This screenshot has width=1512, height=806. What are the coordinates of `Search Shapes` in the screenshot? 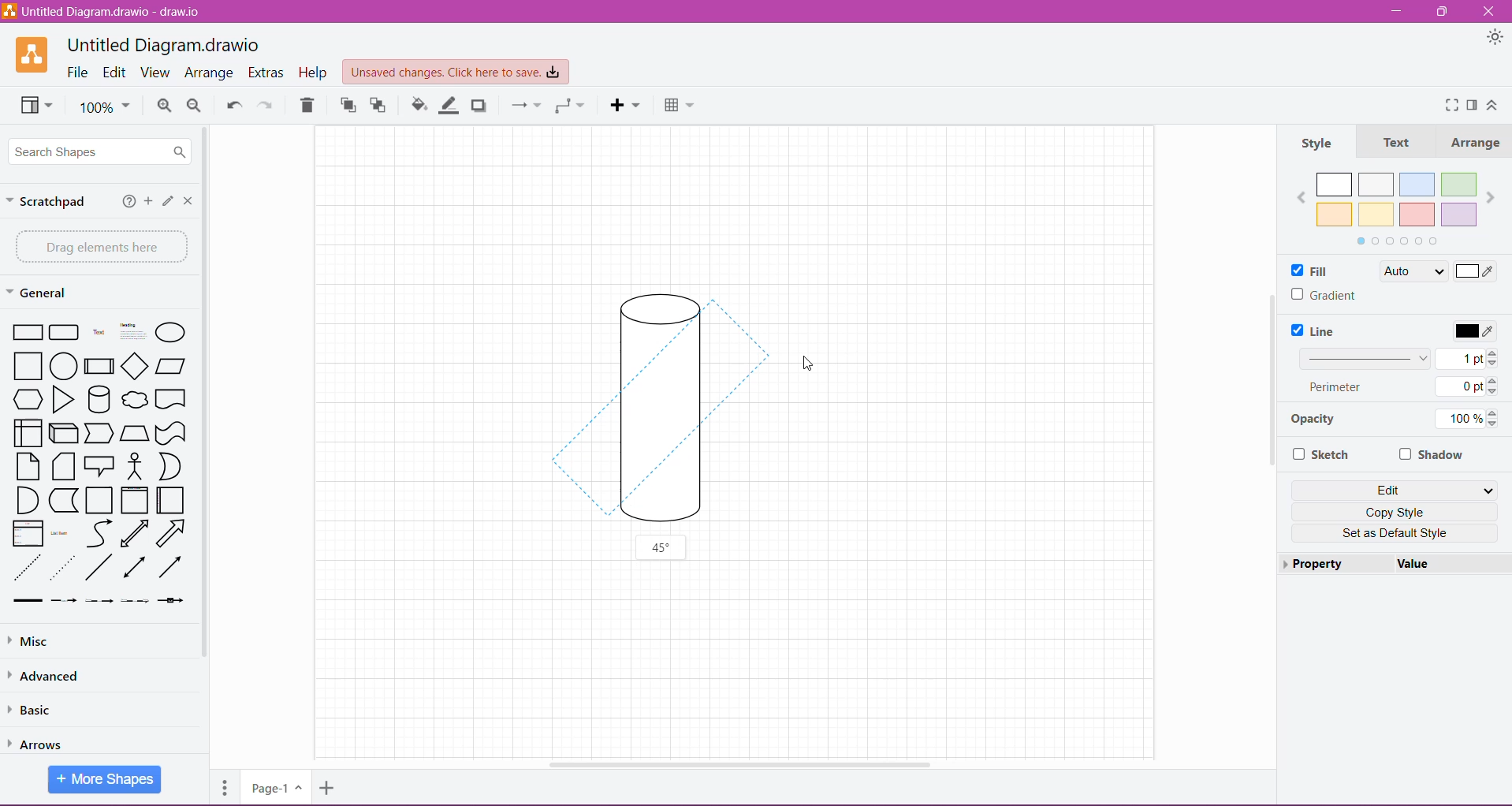 It's located at (102, 152).